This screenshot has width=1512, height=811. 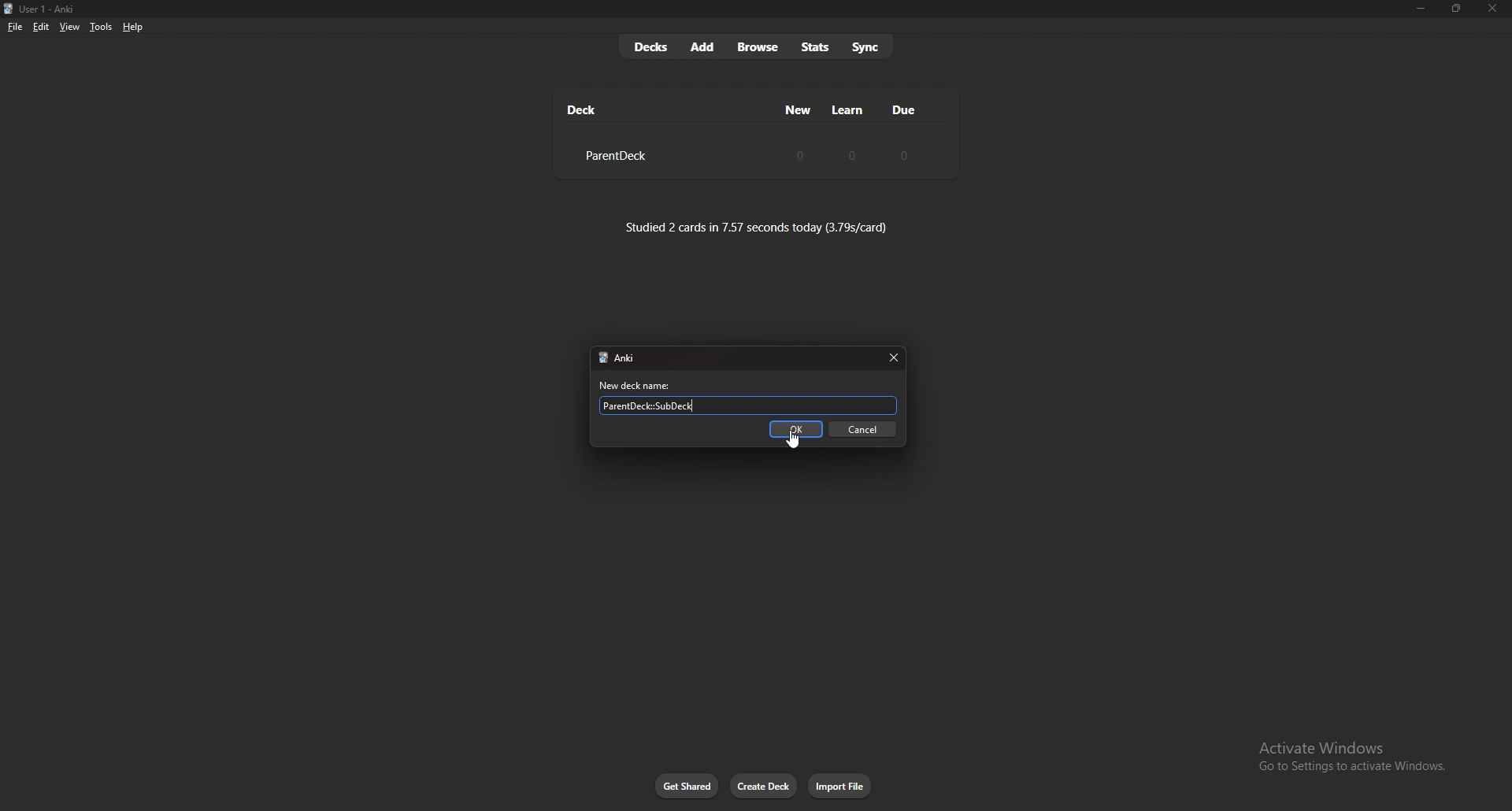 What do you see at coordinates (799, 109) in the screenshot?
I see `new` at bounding box center [799, 109].